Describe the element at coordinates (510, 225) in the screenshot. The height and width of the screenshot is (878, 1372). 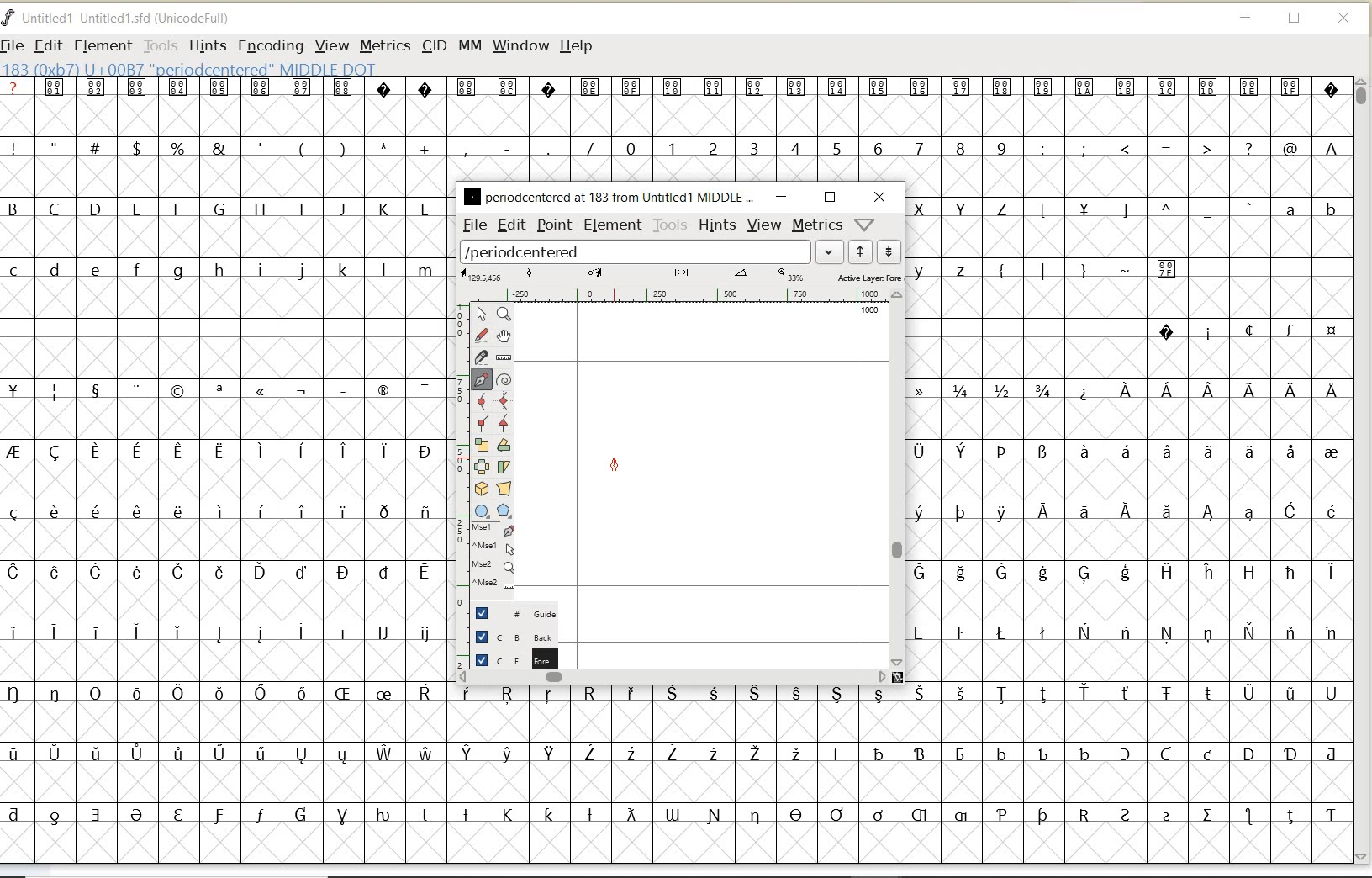
I see `edit` at that location.